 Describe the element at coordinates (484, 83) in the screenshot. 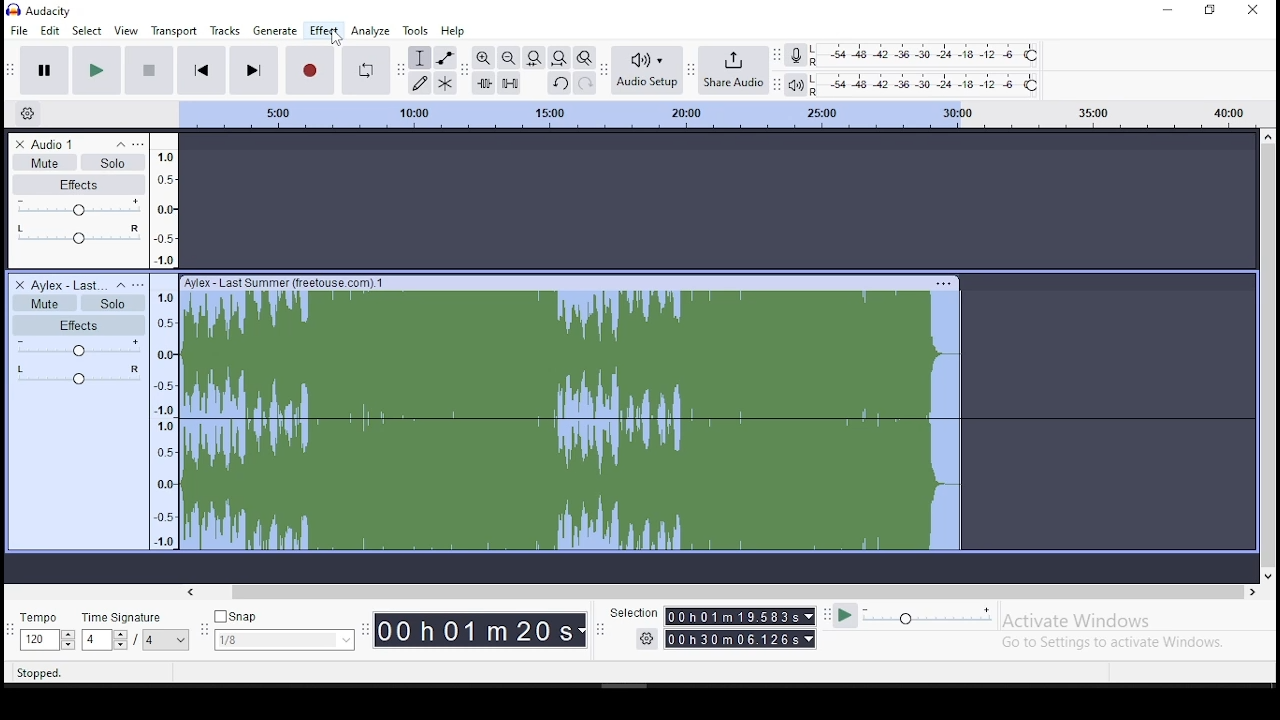

I see `trim audio outside selection` at that location.